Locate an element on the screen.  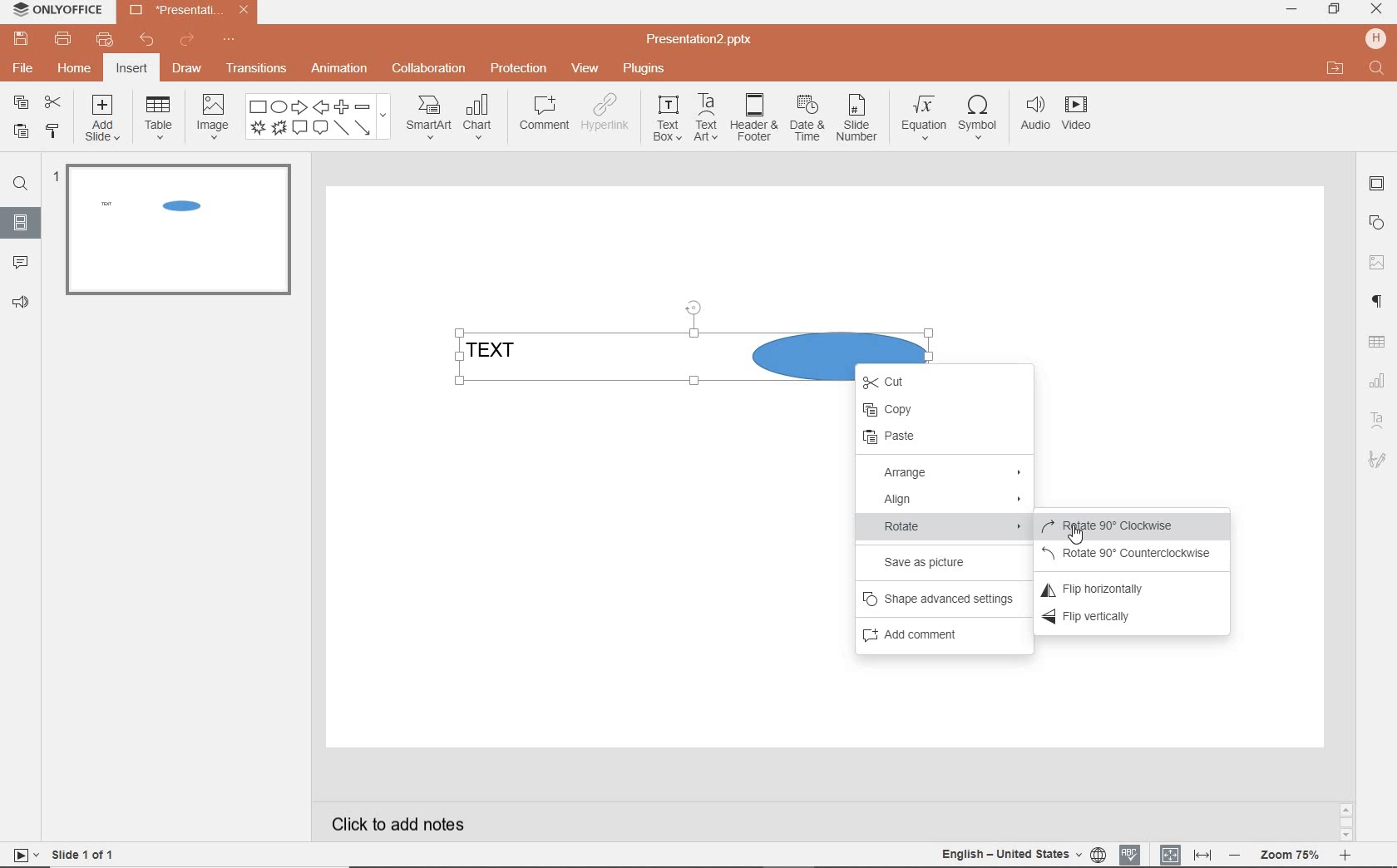
IMAGE SETTINGS is located at coordinates (1377, 262).